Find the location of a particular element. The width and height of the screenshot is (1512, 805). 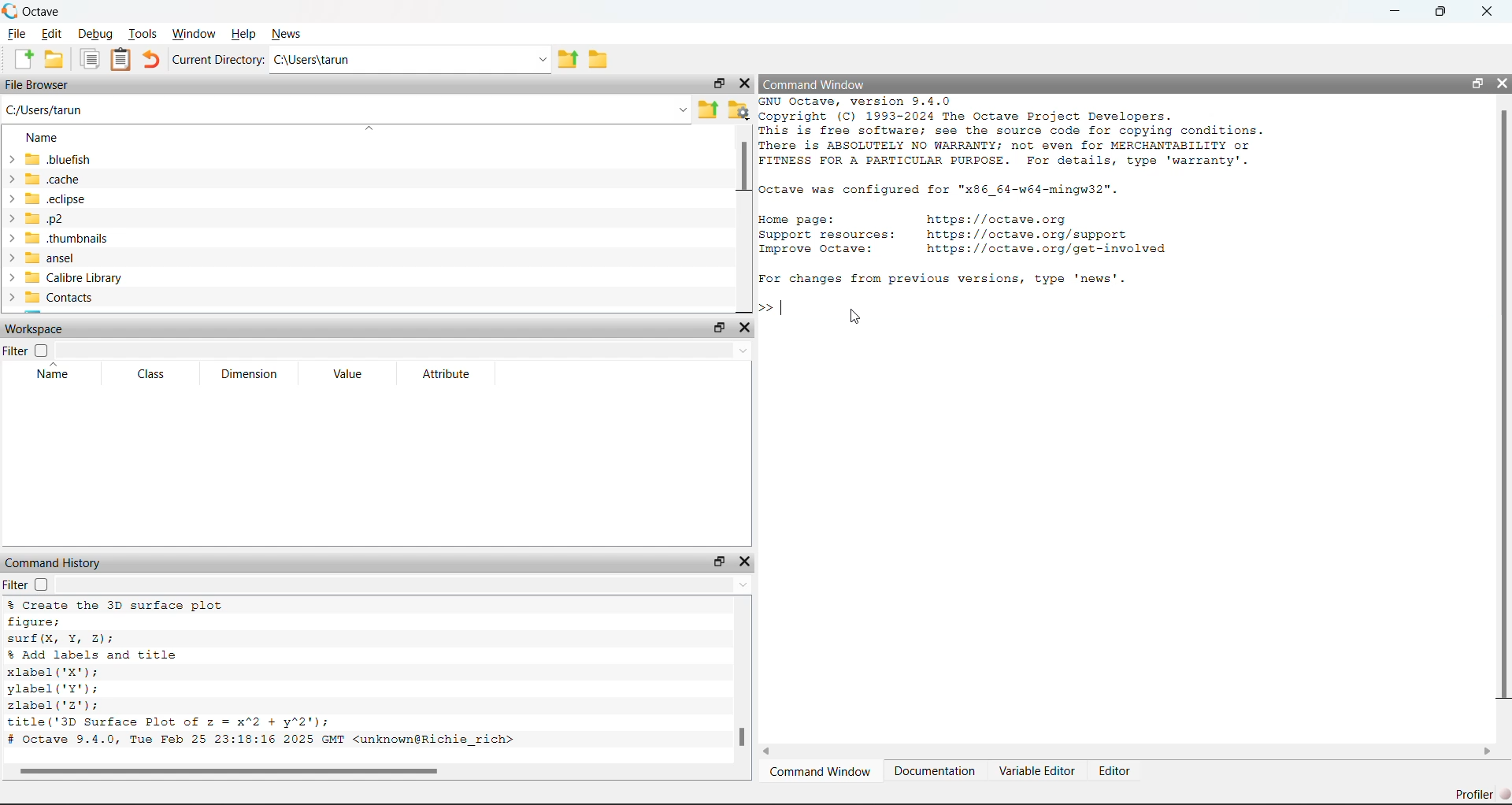

Filter is located at coordinates (16, 584).